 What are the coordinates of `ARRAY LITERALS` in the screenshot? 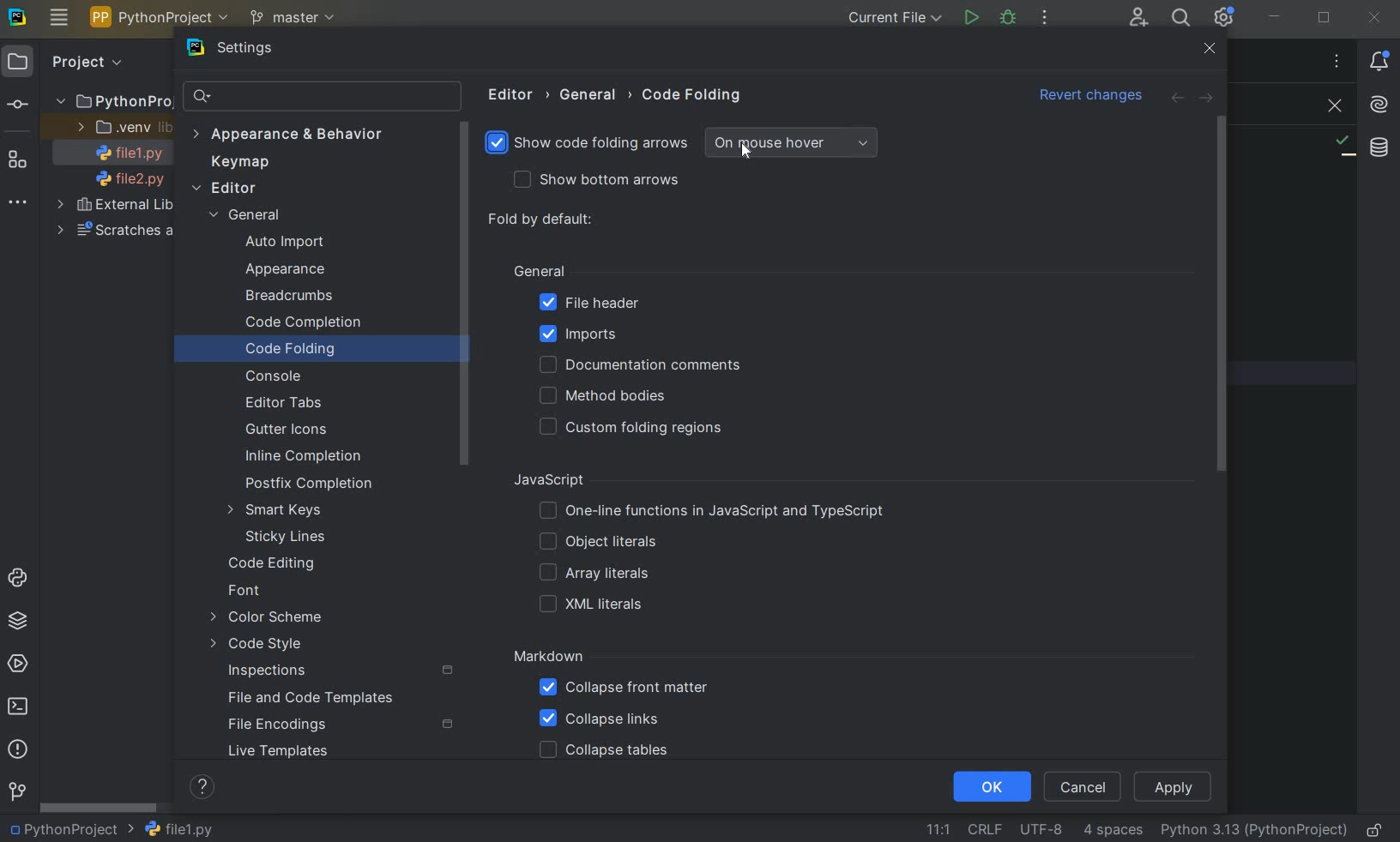 It's located at (594, 574).